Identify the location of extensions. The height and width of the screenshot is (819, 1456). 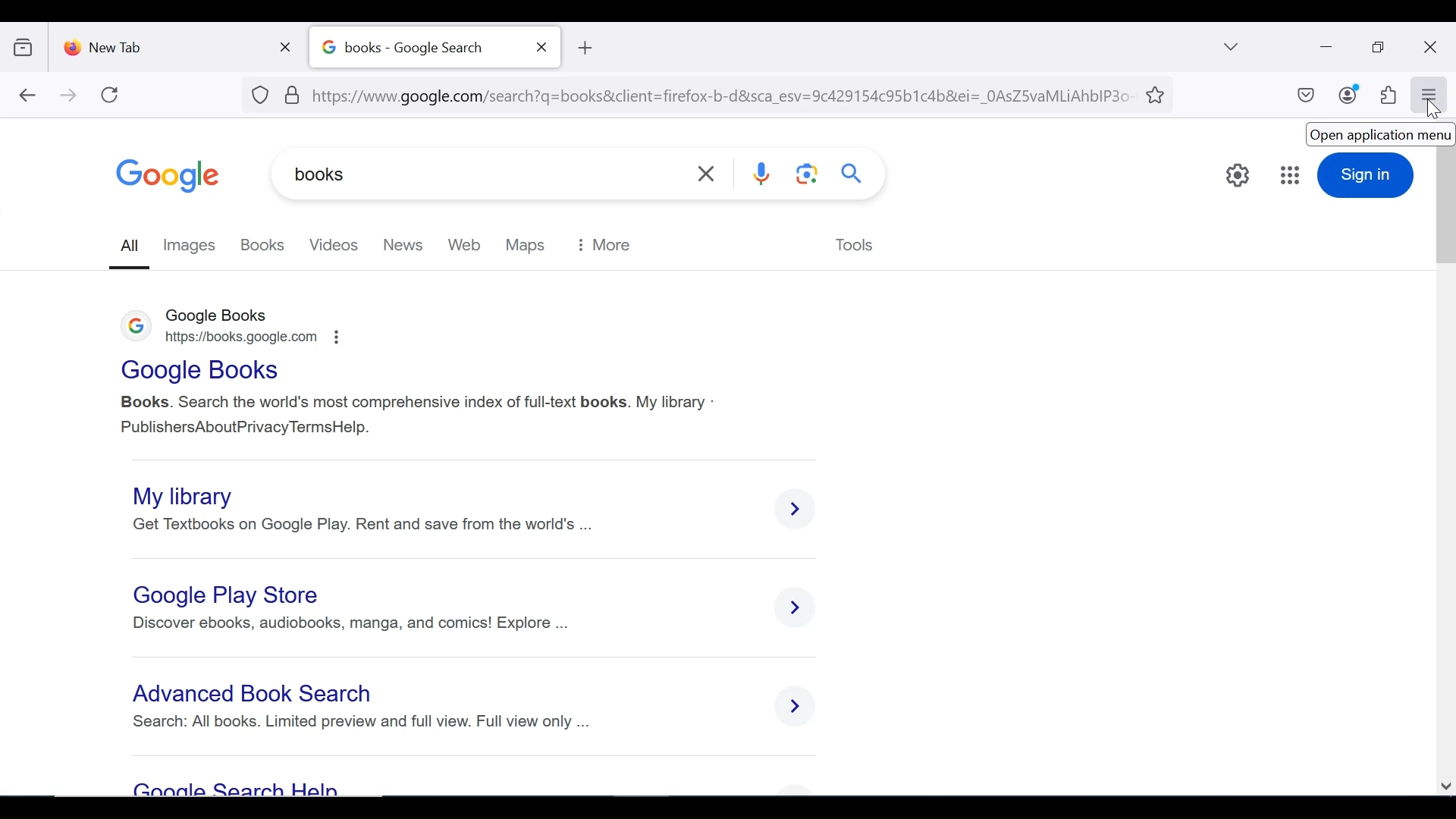
(1387, 96).